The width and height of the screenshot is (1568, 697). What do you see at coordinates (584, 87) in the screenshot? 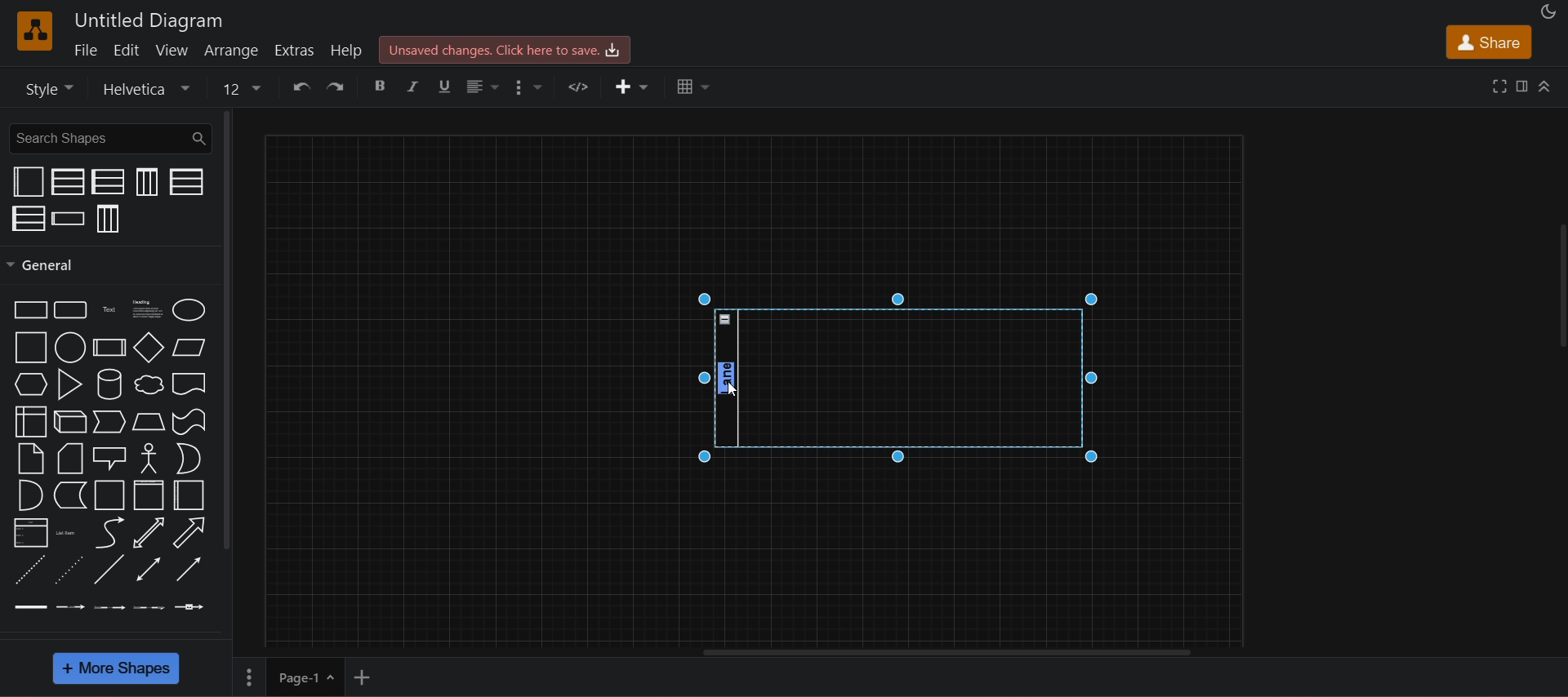
I see `url` at bounding box center [584, 87].